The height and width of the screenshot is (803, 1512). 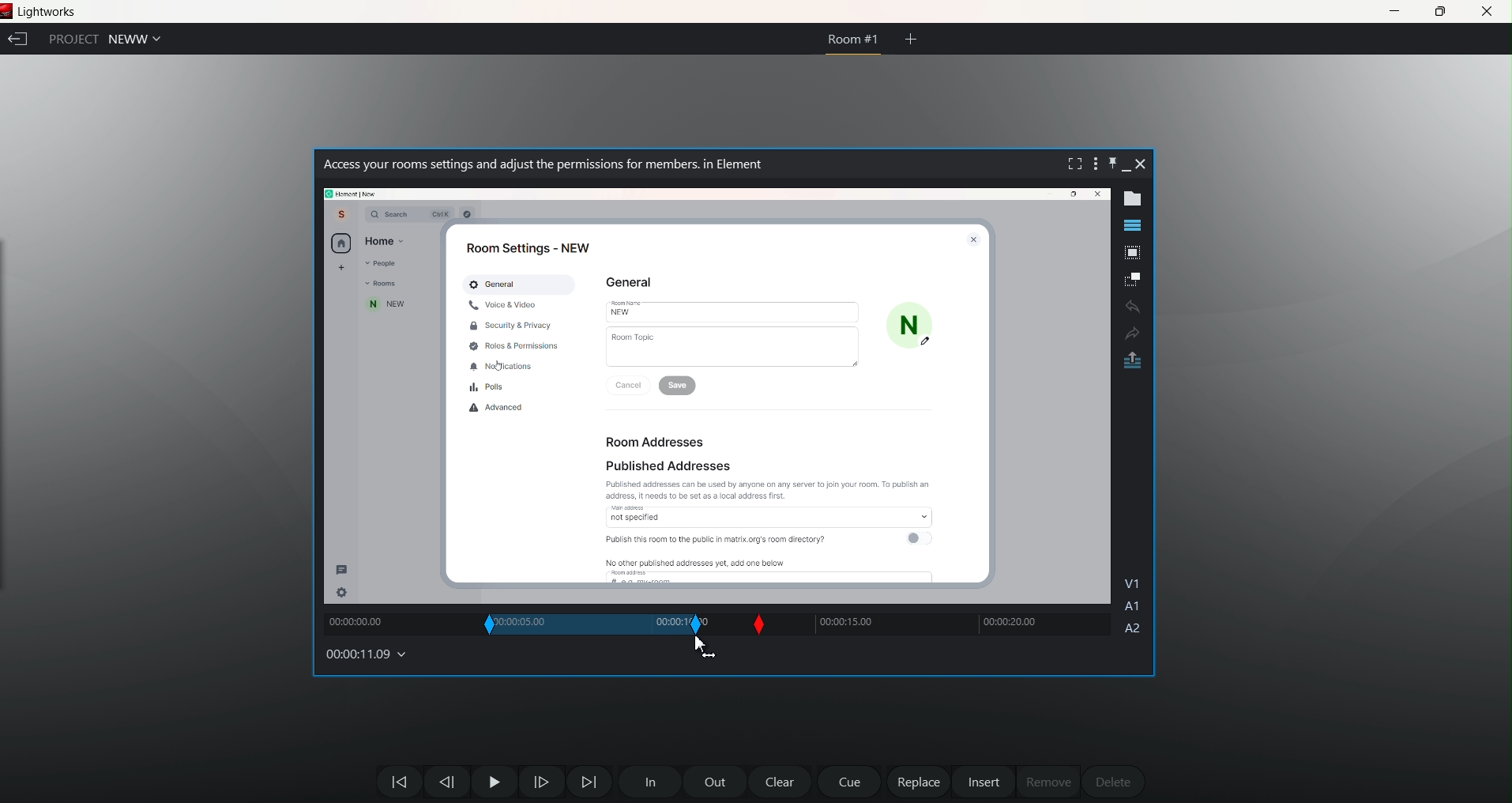 I want to click on People, so click(x=382, y=263).